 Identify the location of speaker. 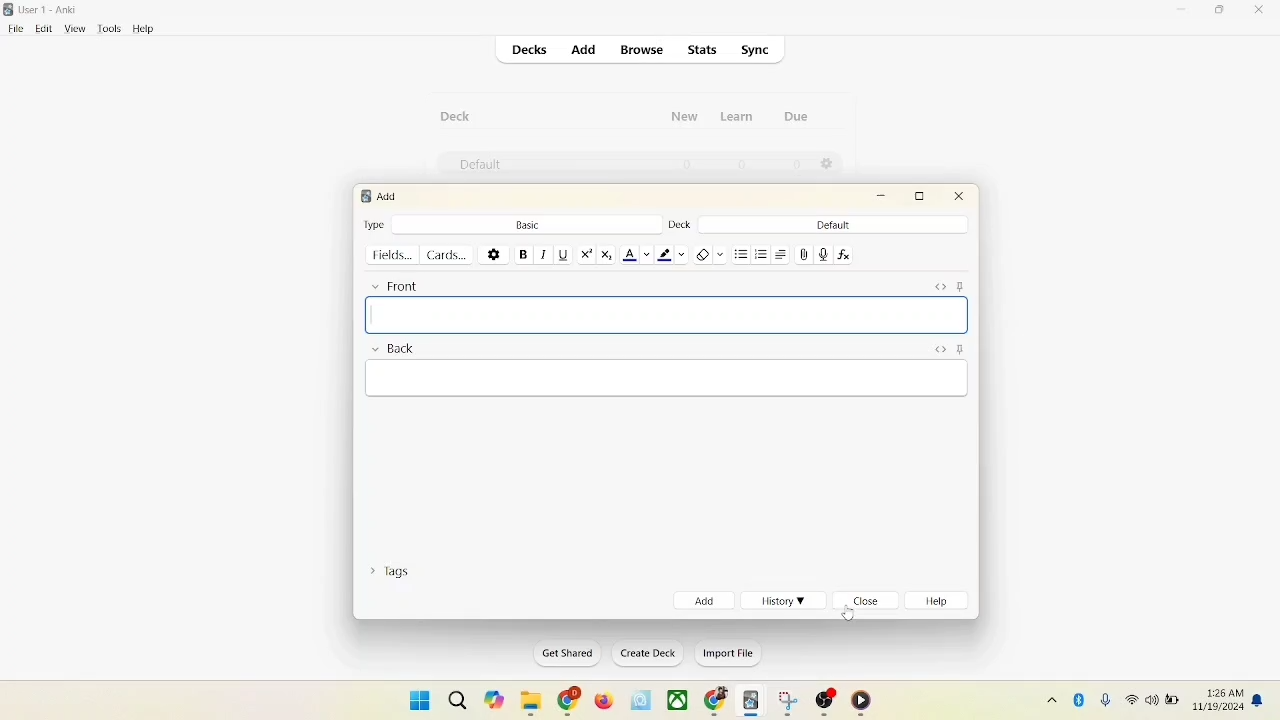
(1151, 699).